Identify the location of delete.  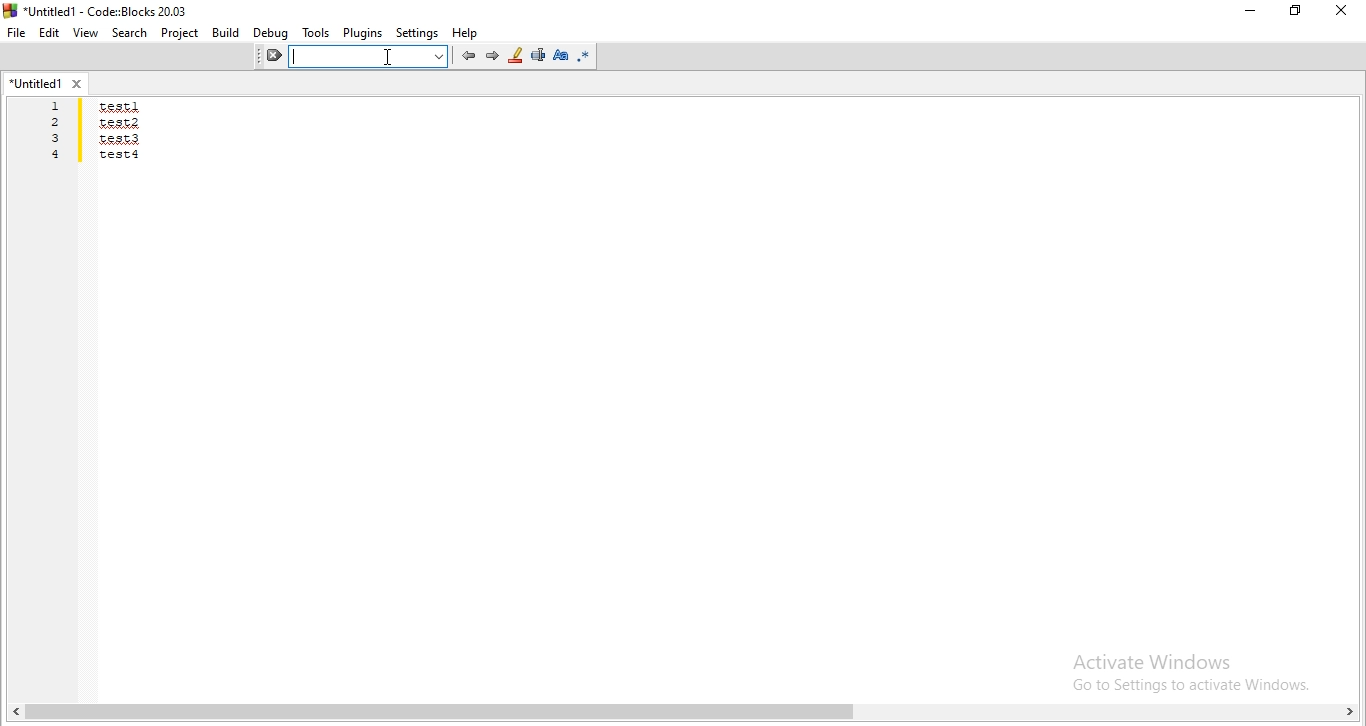
(270, 57).